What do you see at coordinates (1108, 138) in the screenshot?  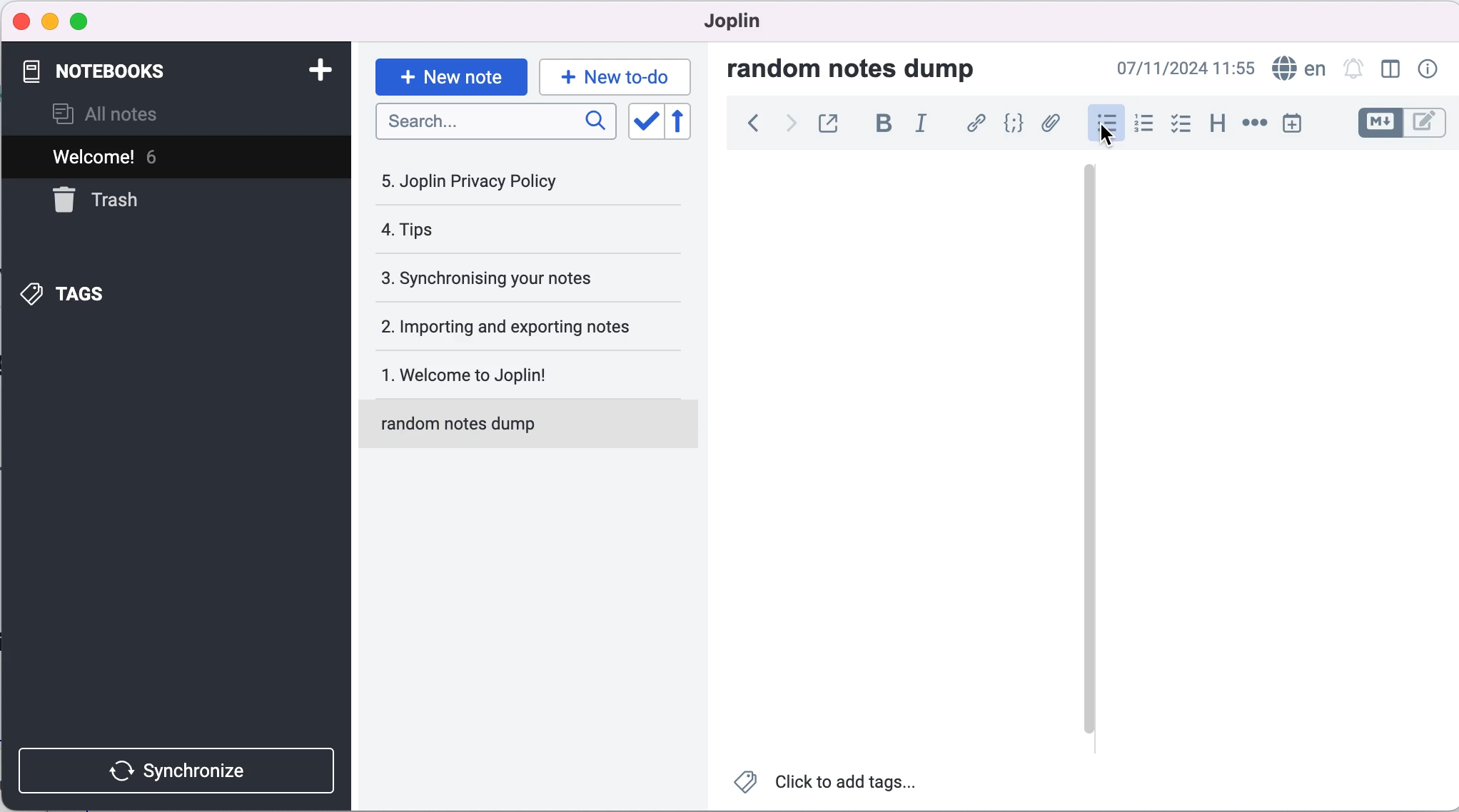 I see `cursor` at bounding box center [1108, 138].